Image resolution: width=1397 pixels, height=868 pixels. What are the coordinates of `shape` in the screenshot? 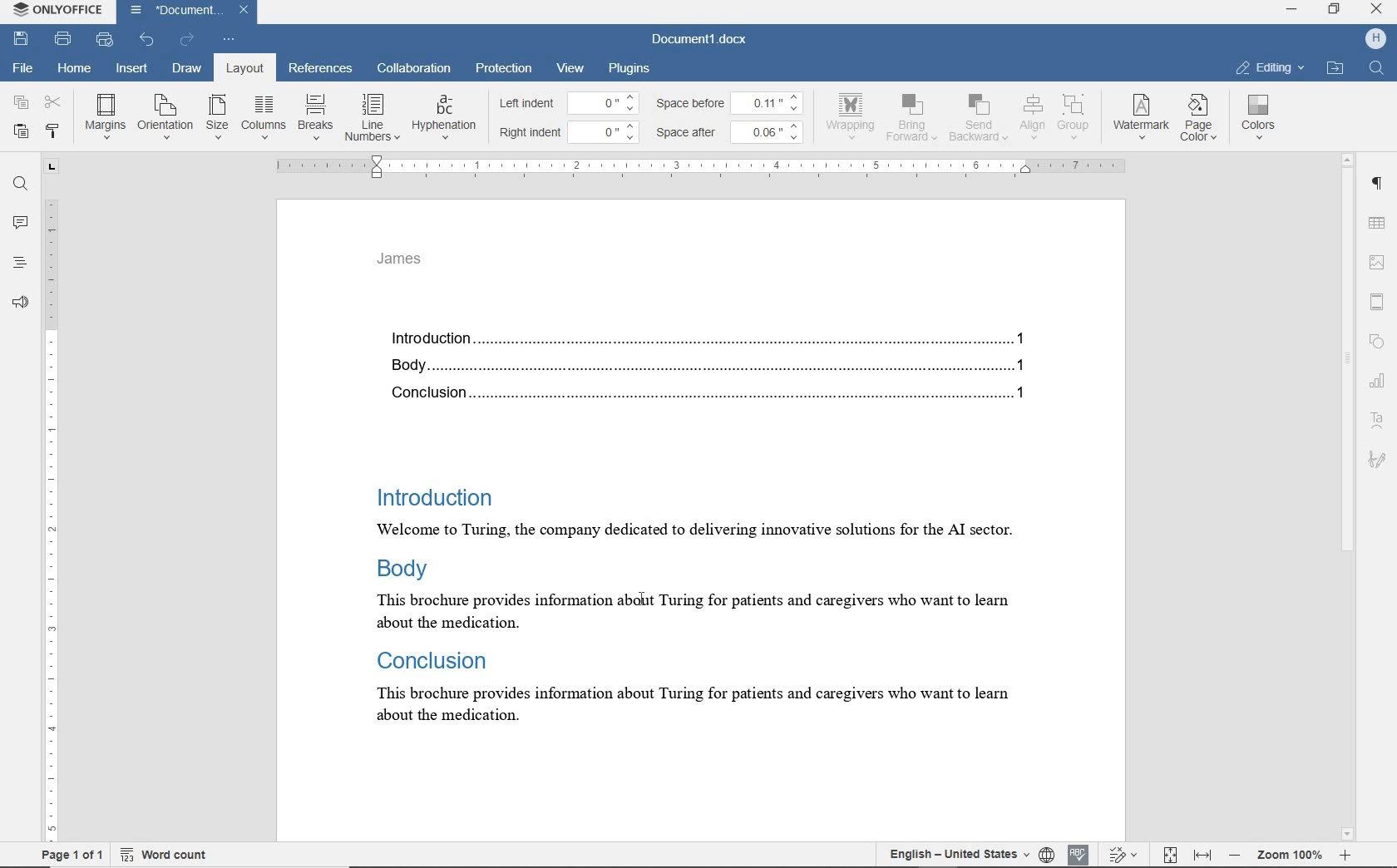 It's located at (1377, 340).